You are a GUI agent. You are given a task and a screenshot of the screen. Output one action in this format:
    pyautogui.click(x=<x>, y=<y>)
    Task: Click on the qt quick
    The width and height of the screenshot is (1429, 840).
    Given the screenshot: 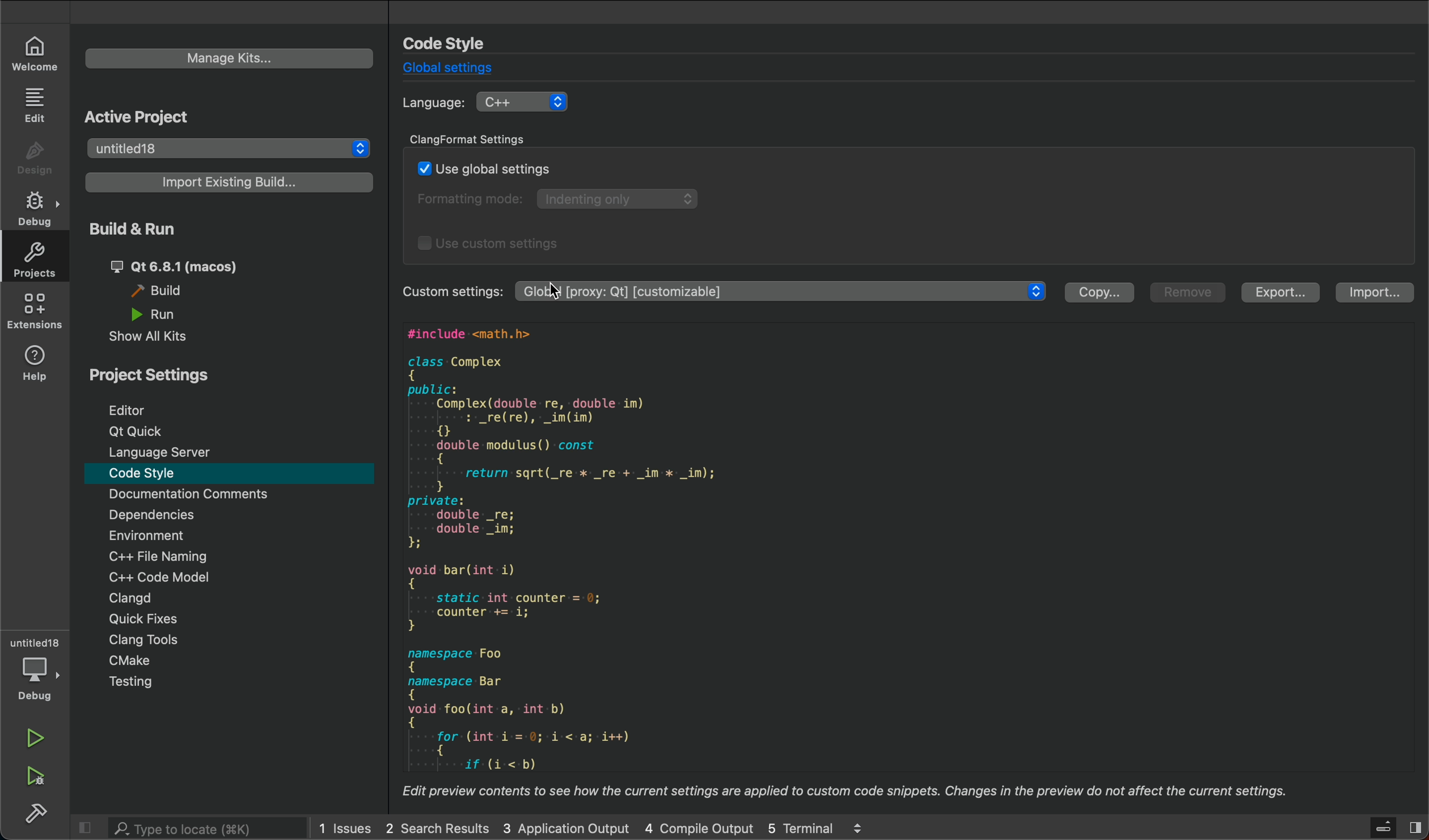 What is the action you would take?
    pyautogui.click(x=136, y=431)
    